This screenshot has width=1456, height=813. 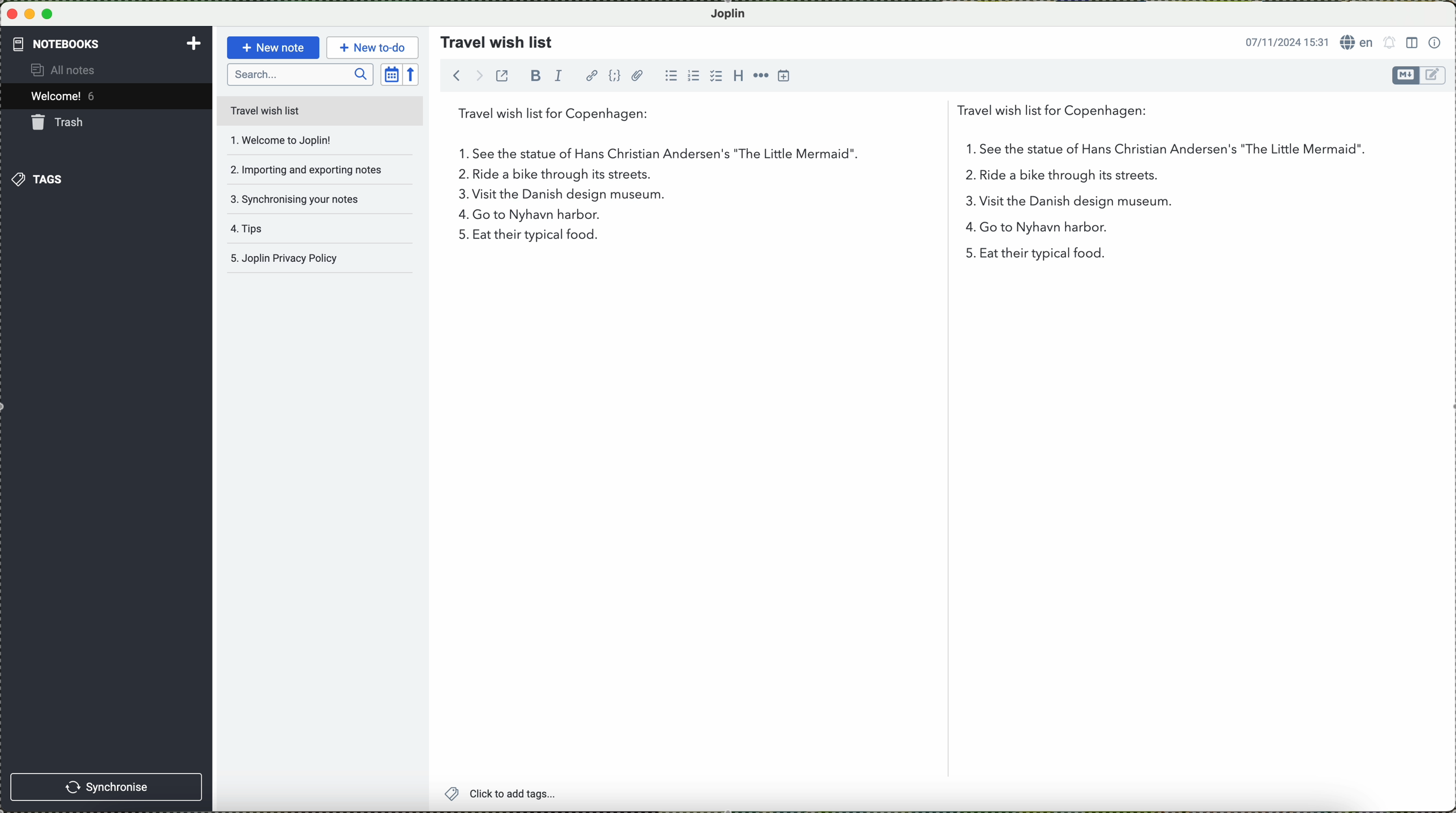 What do you see at coordinates (455, 197) in the screenshot?
I see `3 on the list` at bounding box center [455, 197].